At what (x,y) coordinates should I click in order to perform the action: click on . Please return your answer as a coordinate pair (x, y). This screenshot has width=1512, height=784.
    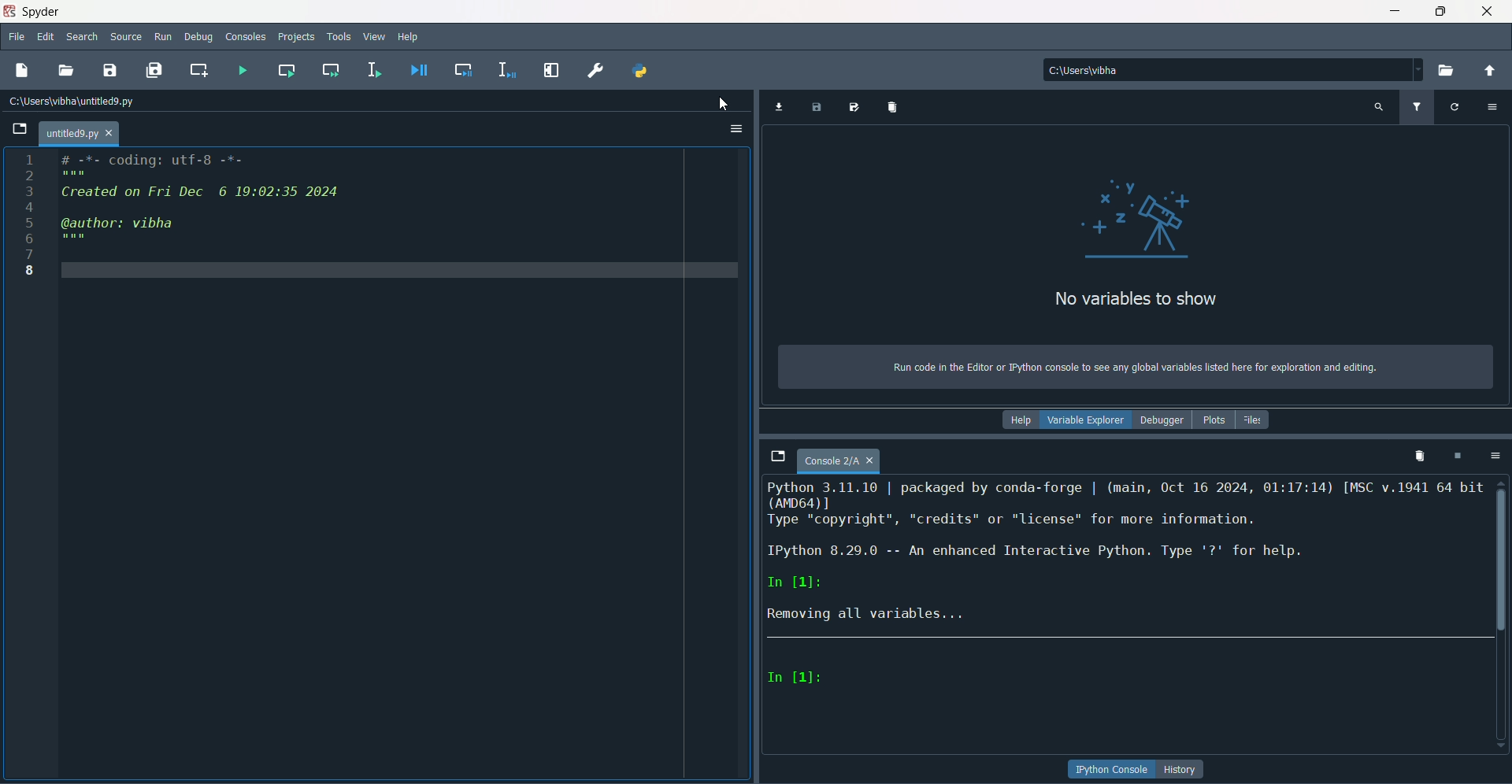
    Looking at the image, I should click on (297, 39).